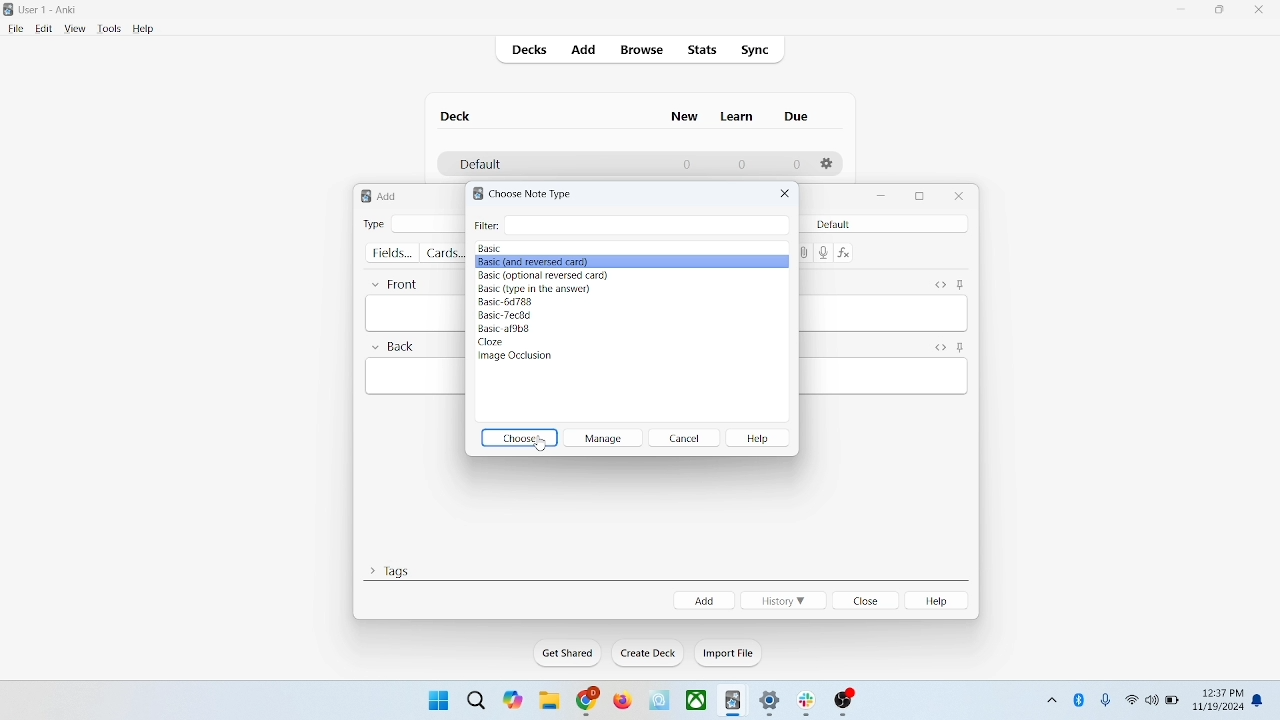  I want to click on sticky, so click(960, 284).